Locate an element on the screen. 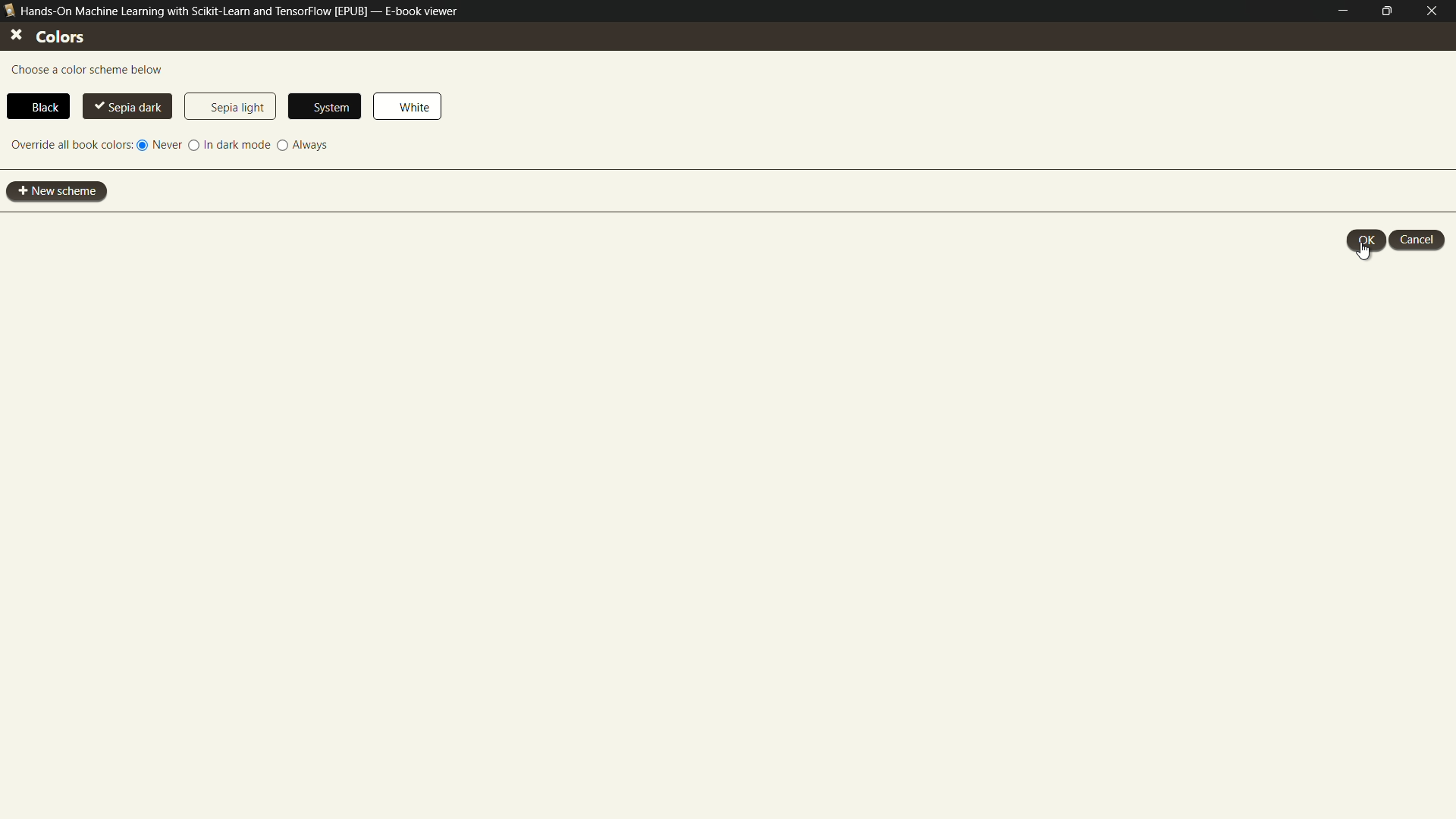 The height and width of the screenshot is (819, 1456). black is located at coordinates (38, 107).